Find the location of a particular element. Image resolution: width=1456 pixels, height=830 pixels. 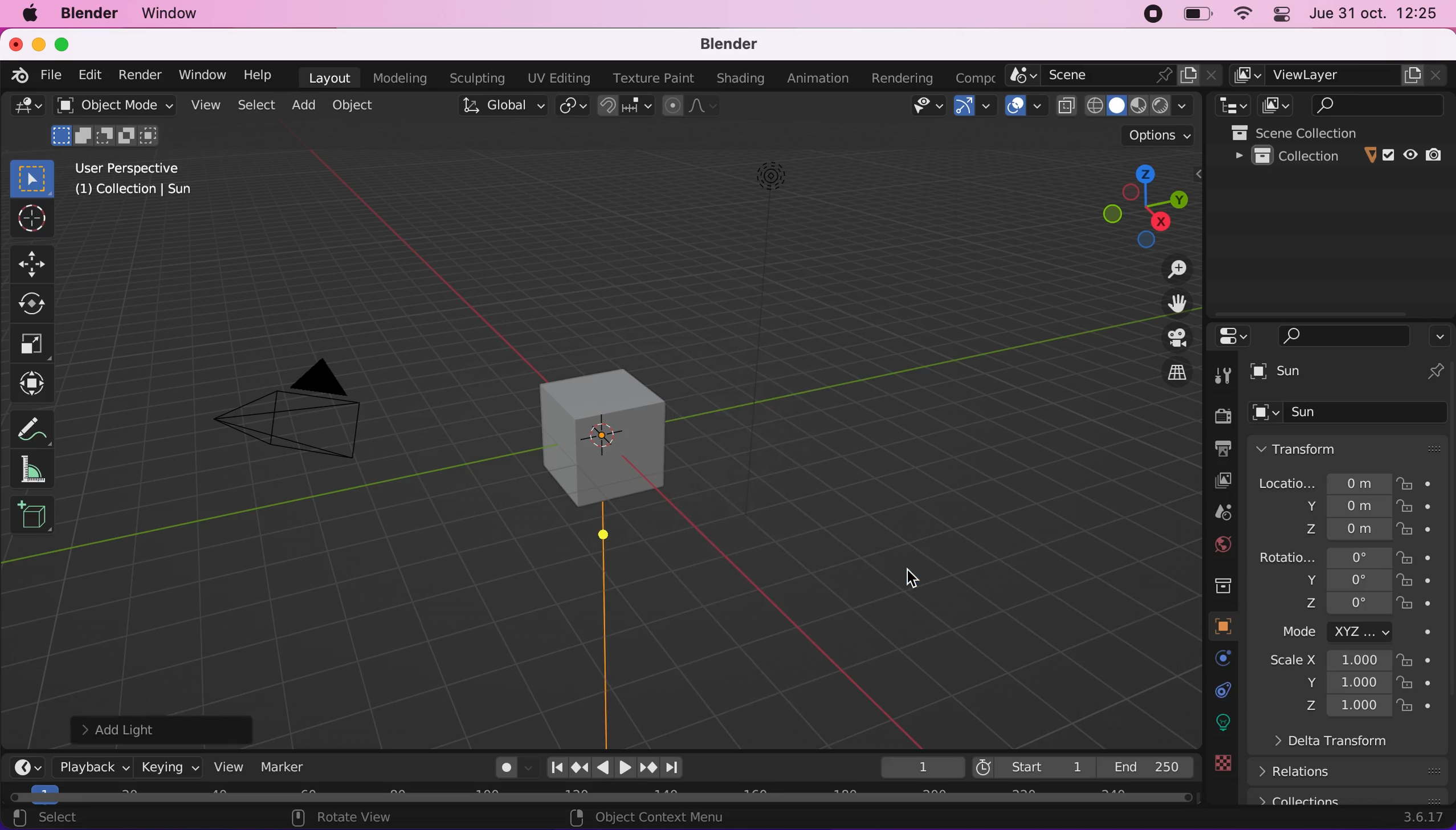

auto keying is located at coordinates (503, 767).